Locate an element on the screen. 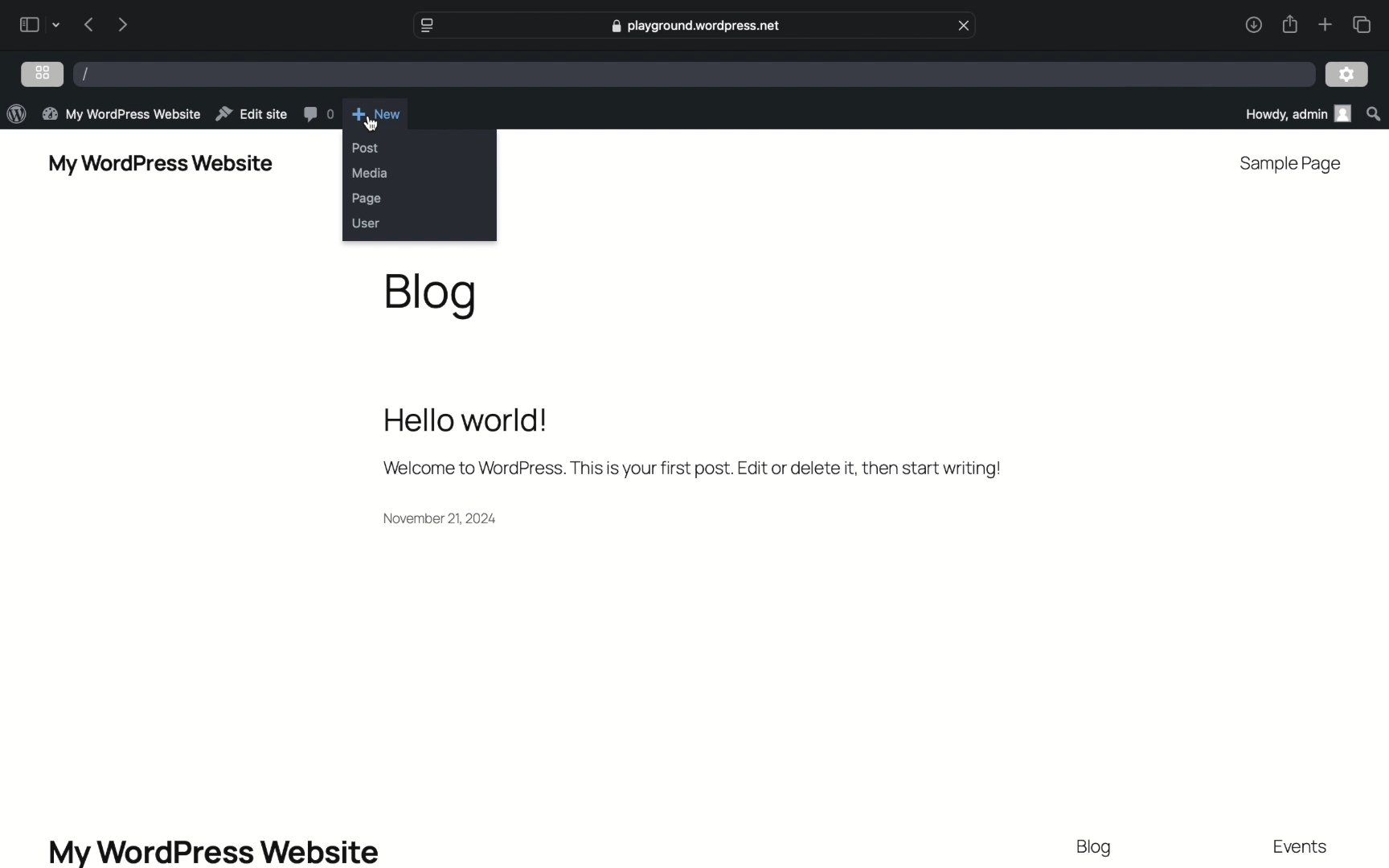 The width and height of the screenshot is (1389, 868). user is located at coordinates (366, 223).